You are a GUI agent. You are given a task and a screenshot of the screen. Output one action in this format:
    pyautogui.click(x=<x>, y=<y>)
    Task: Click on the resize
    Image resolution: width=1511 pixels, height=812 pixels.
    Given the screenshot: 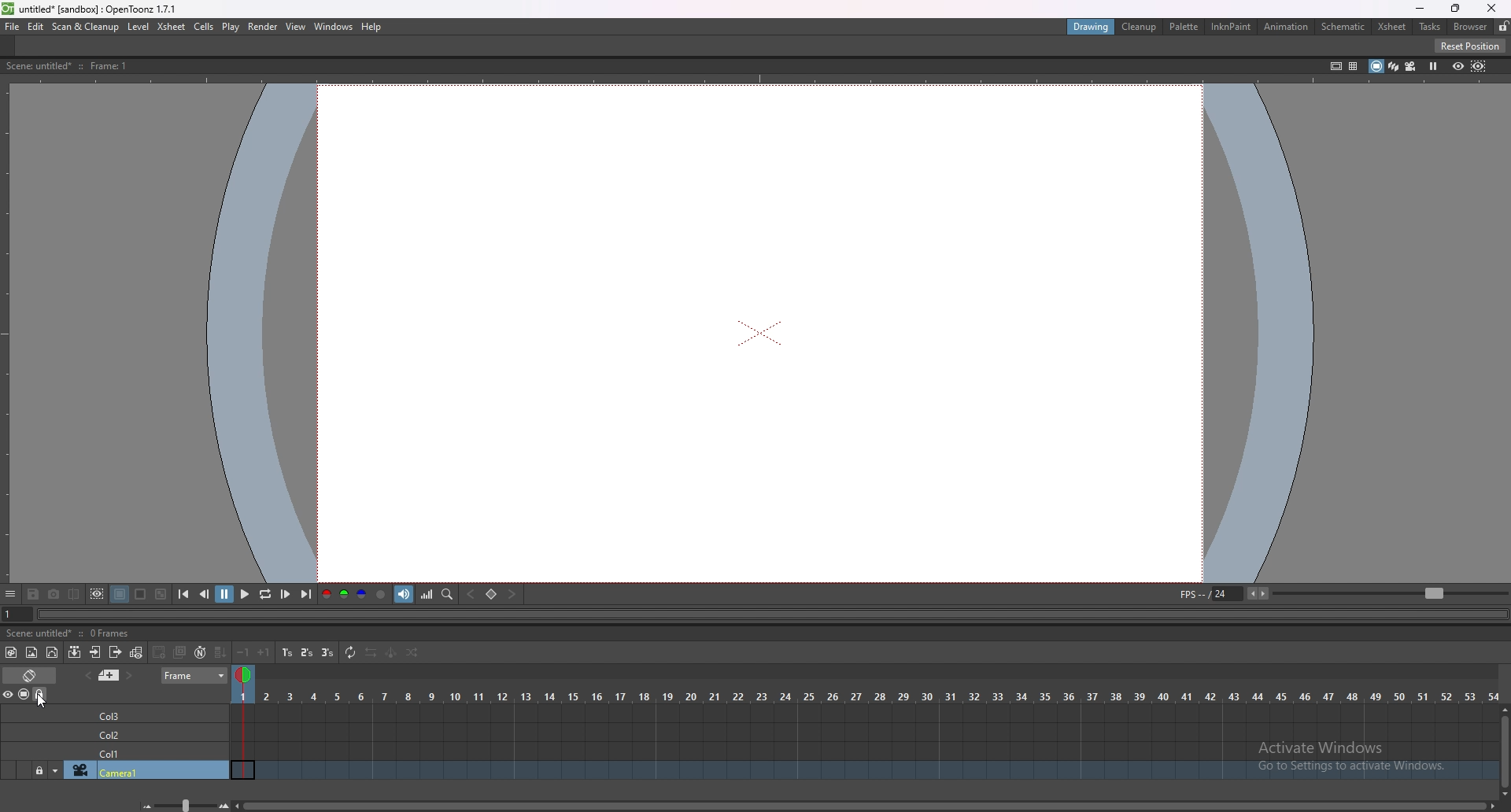 What is the action you would take?
    pyautogui.click(x=1454, y=9)
    